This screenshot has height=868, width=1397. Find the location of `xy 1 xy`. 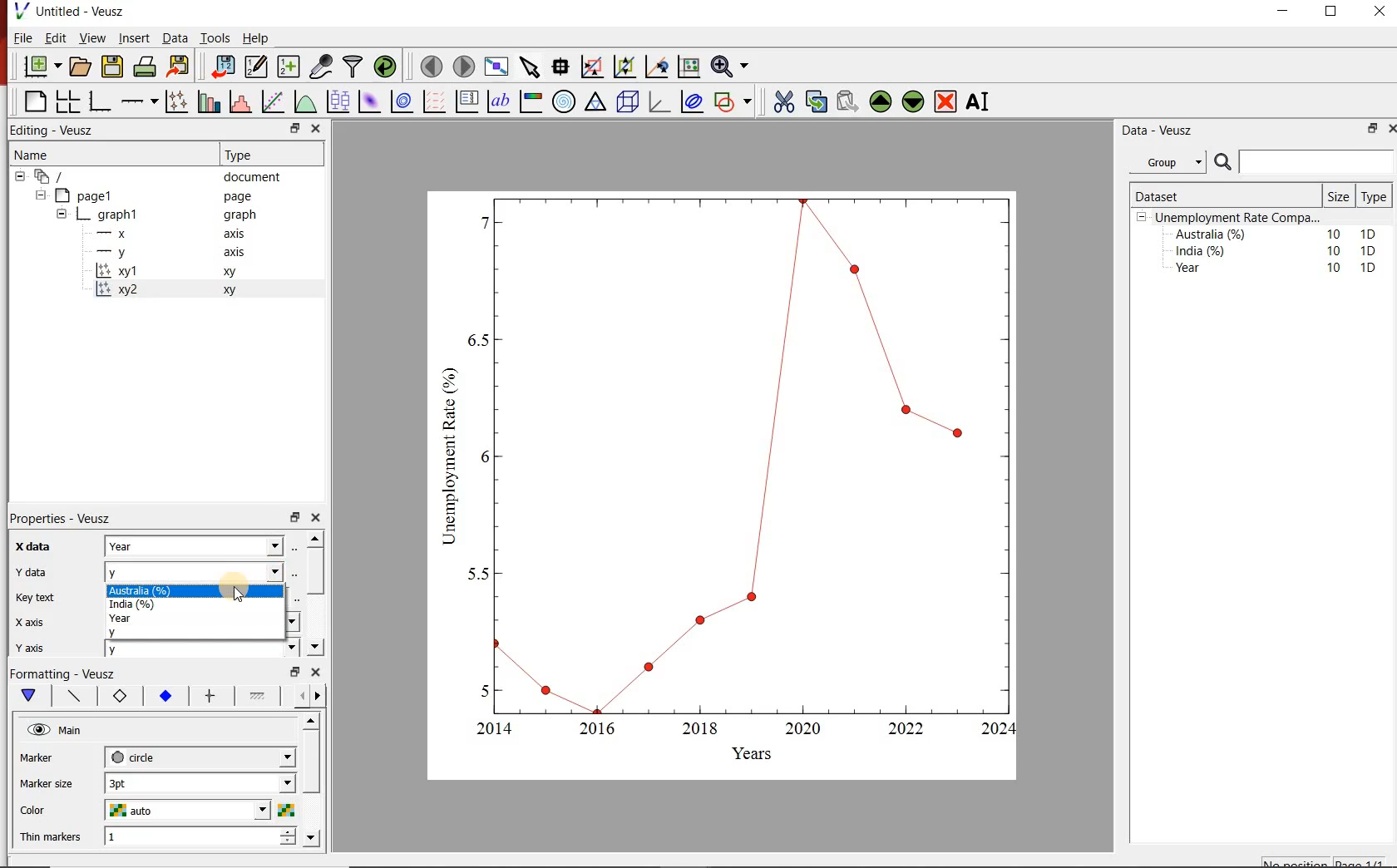

xy 1 xy is located at coordinates (195, 271).